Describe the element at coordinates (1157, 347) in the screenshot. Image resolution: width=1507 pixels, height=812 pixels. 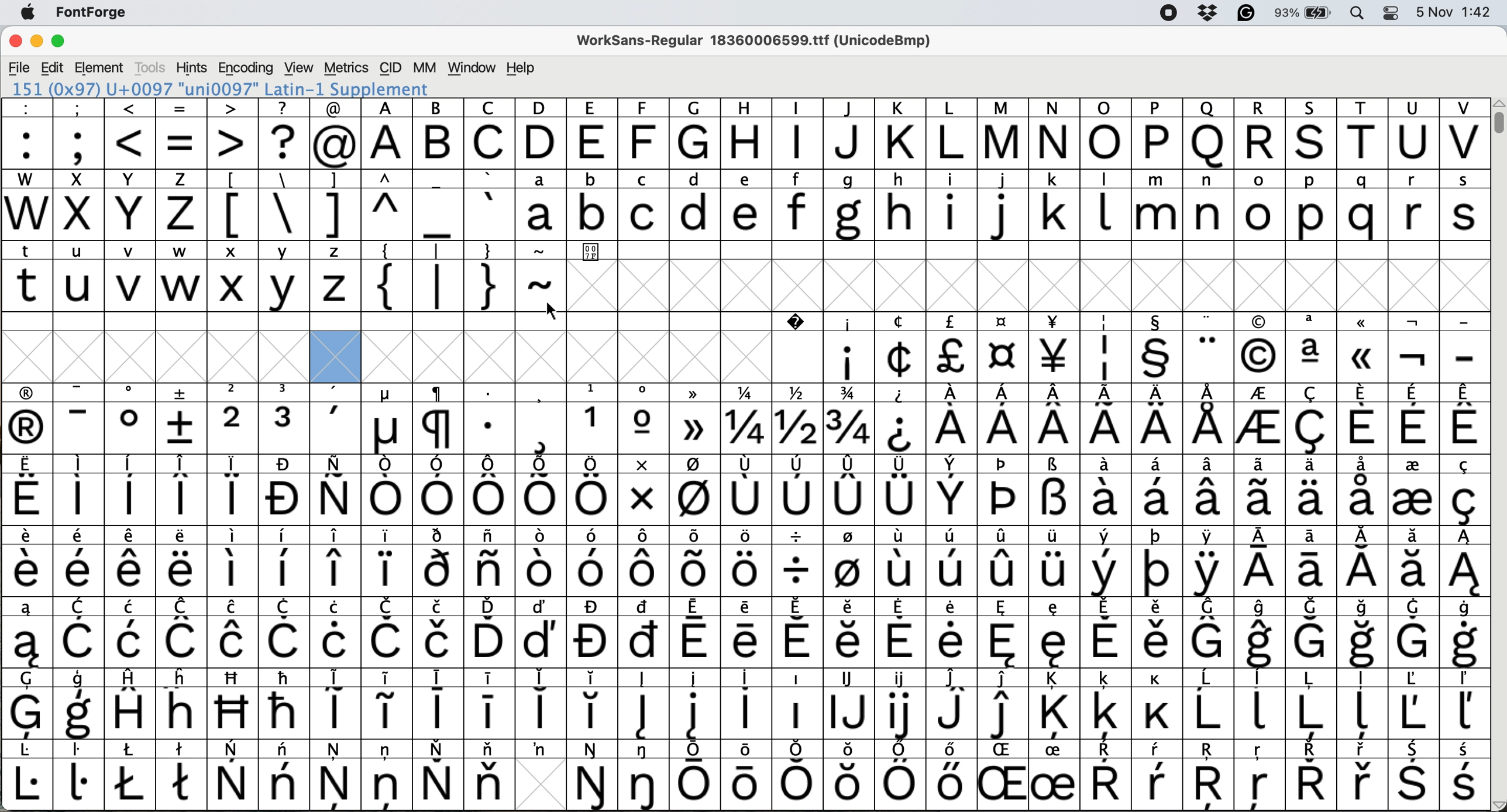
I see `symbol` at that location.